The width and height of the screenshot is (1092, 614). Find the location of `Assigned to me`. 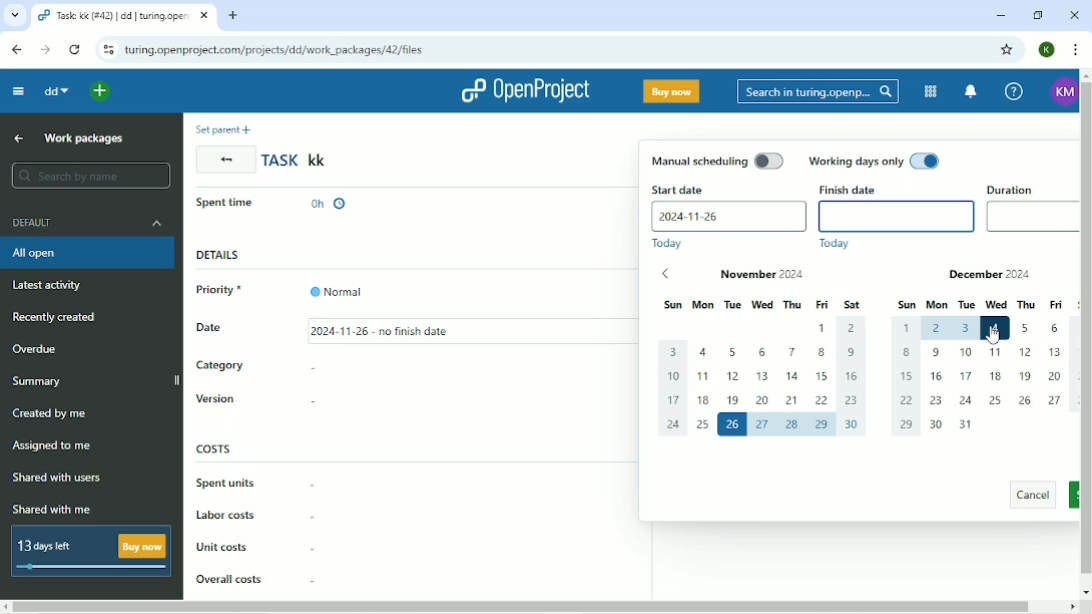

Assigned to me is located at coordinates (51, 445).